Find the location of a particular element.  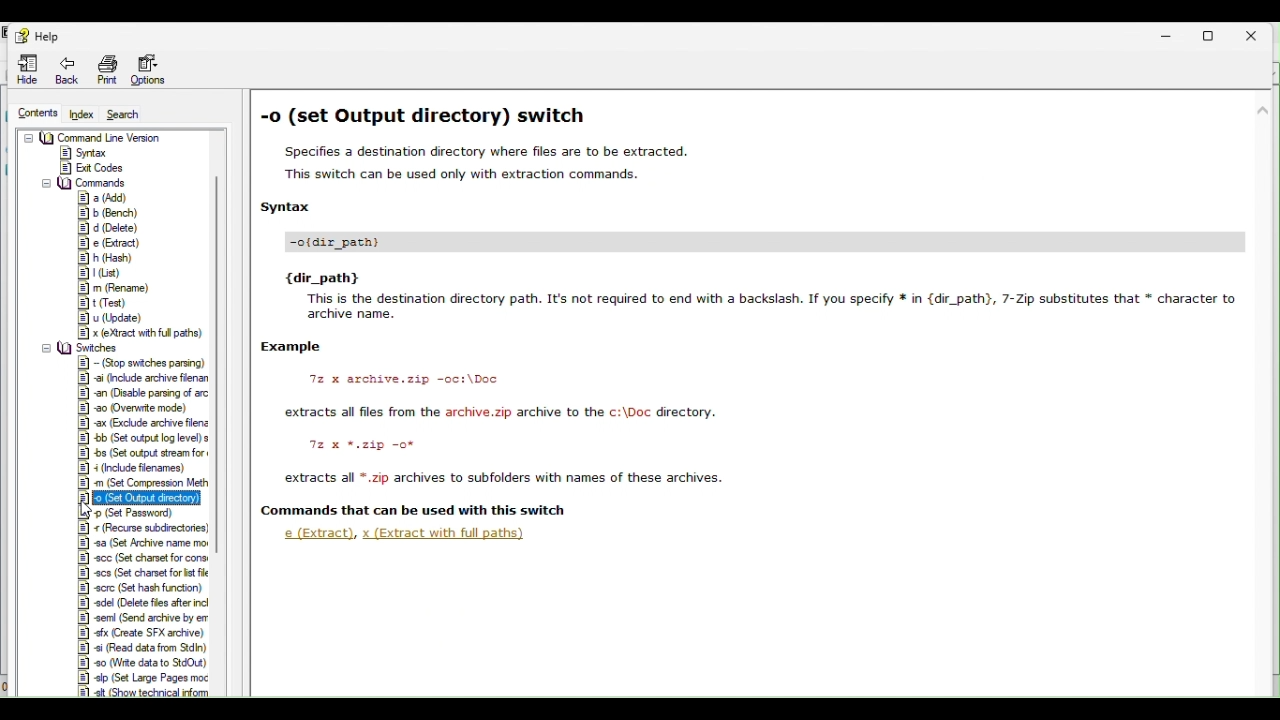

Large pages is located at coordinates (146, 679).